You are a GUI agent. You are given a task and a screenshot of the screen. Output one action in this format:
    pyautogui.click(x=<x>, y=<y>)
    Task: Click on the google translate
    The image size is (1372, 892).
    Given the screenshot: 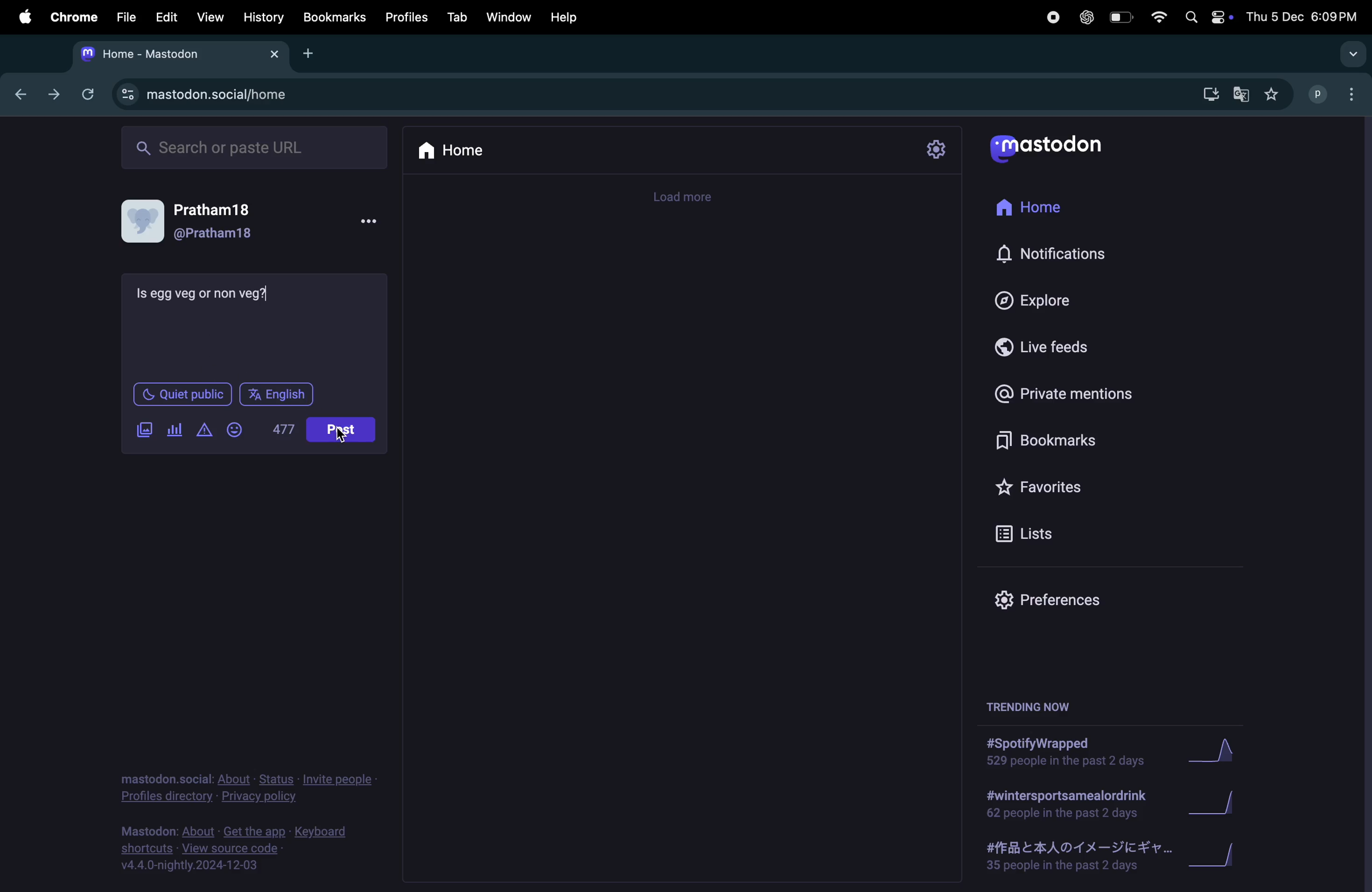 What is the action you would take?
    pyautogui.click(x=1245, y=96)
    